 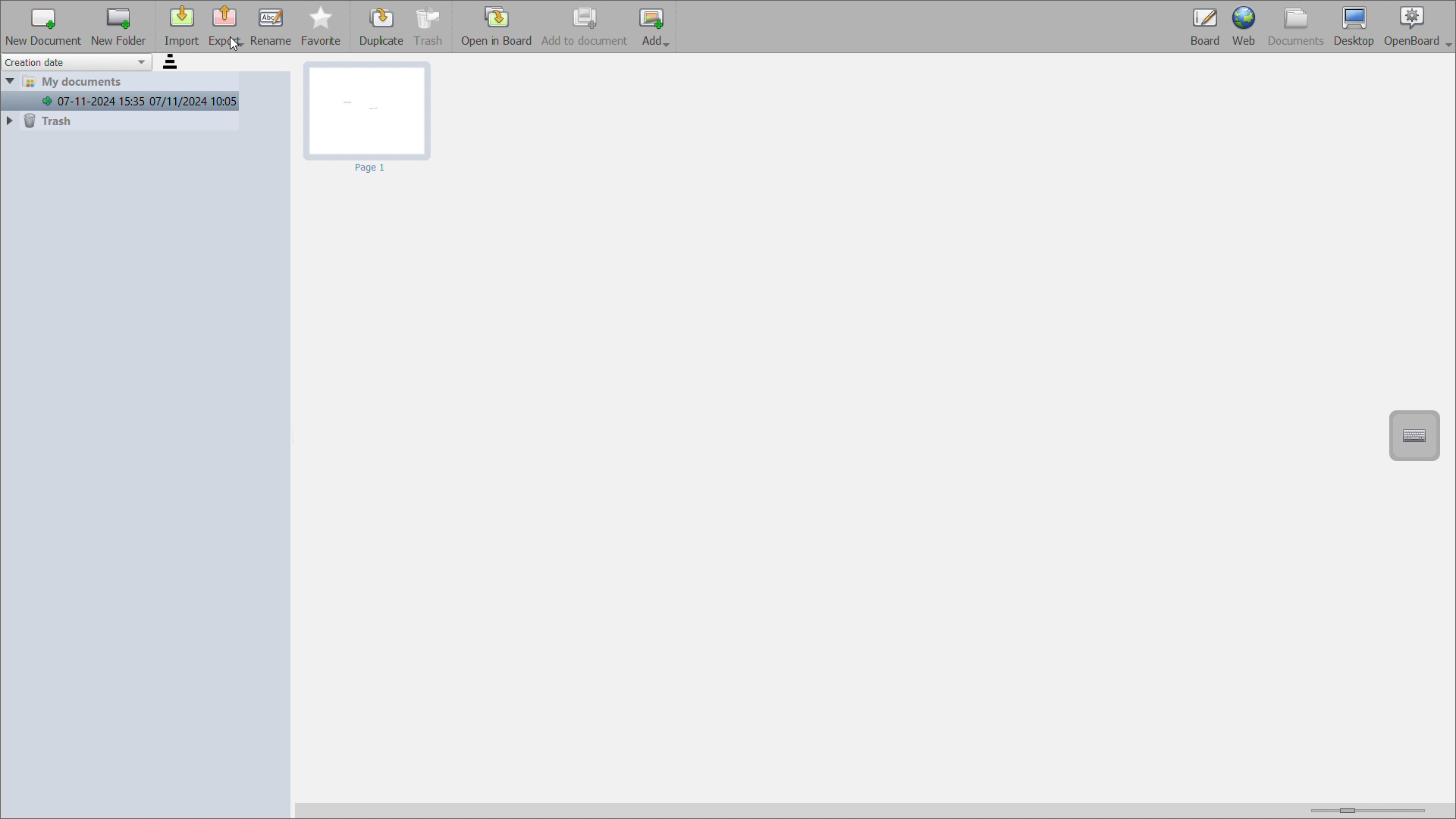 What do you see at coordinates (225, 27) in the screenshot?
I see `export` at bounding box center [225, 27].